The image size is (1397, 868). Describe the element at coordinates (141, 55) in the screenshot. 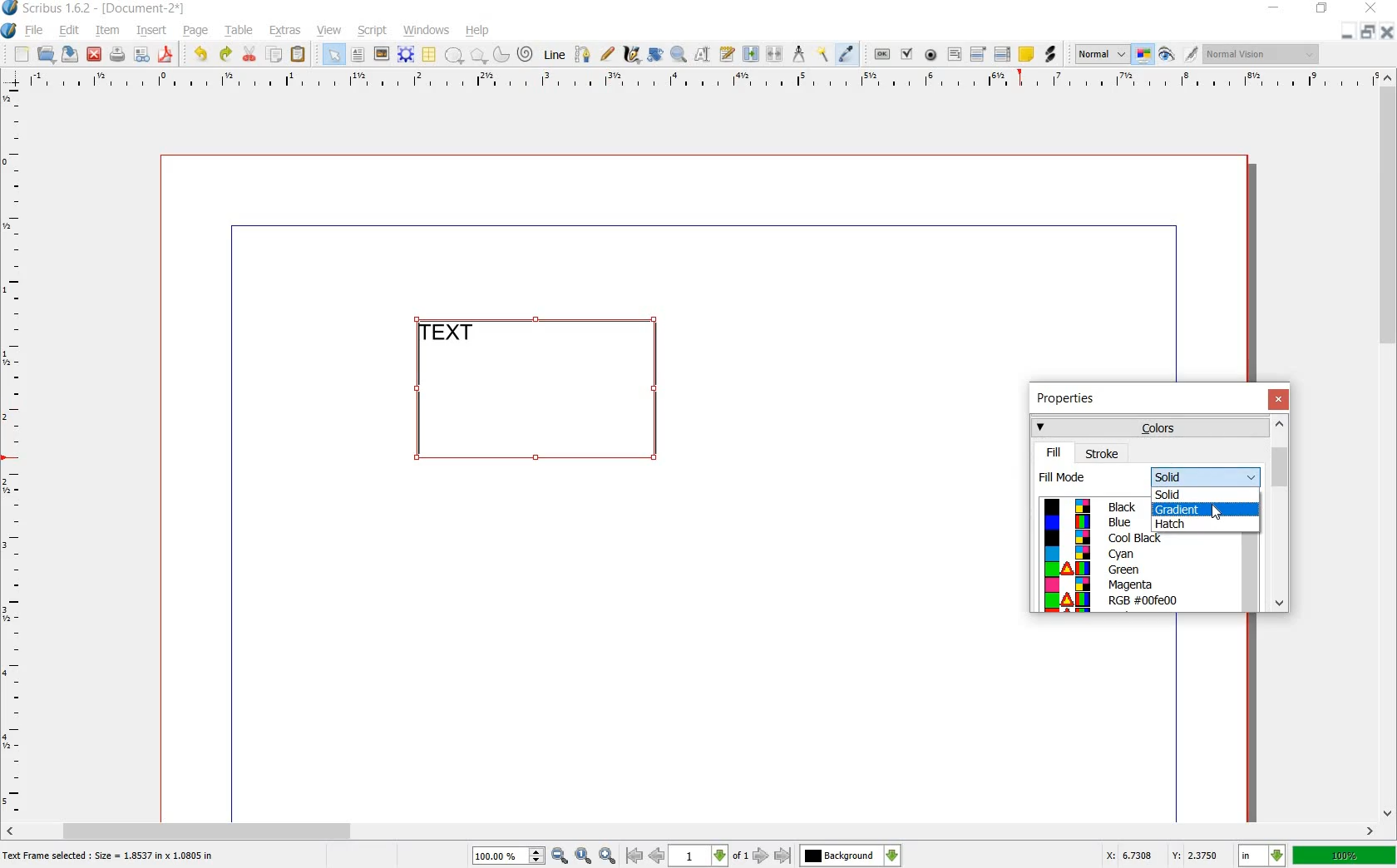

I see `preflight verifier` at that location.